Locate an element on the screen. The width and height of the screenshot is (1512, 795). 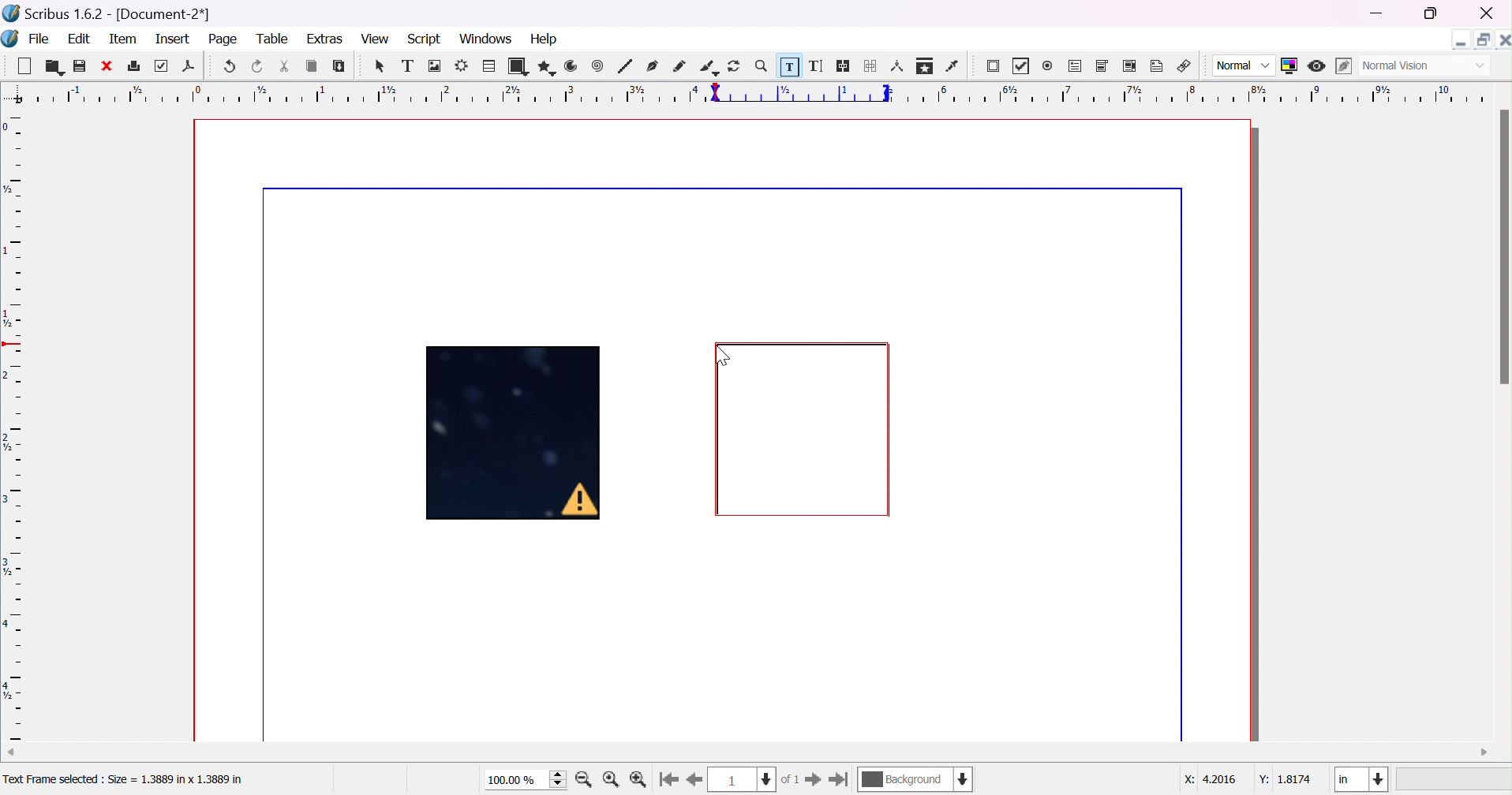
measurements is located at coordinates (897, 66).